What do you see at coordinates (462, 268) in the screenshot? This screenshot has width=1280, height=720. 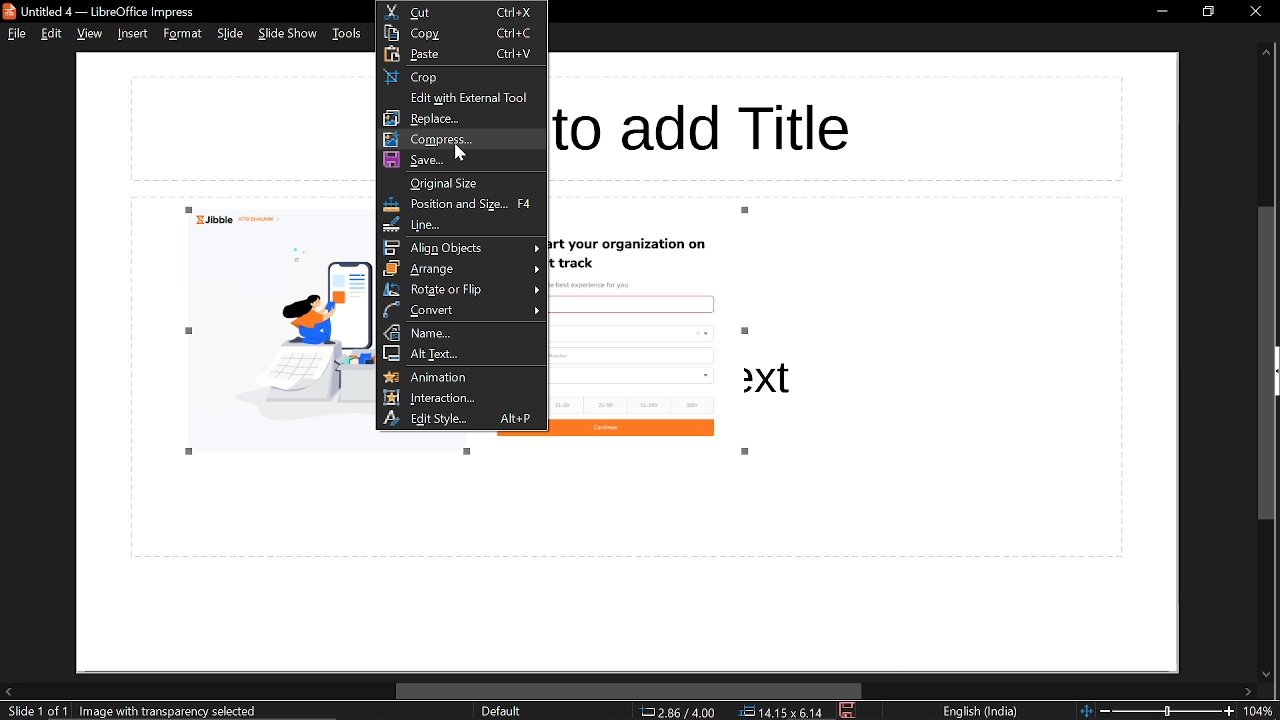 I see `arrange` at bounding box center [462, 268].